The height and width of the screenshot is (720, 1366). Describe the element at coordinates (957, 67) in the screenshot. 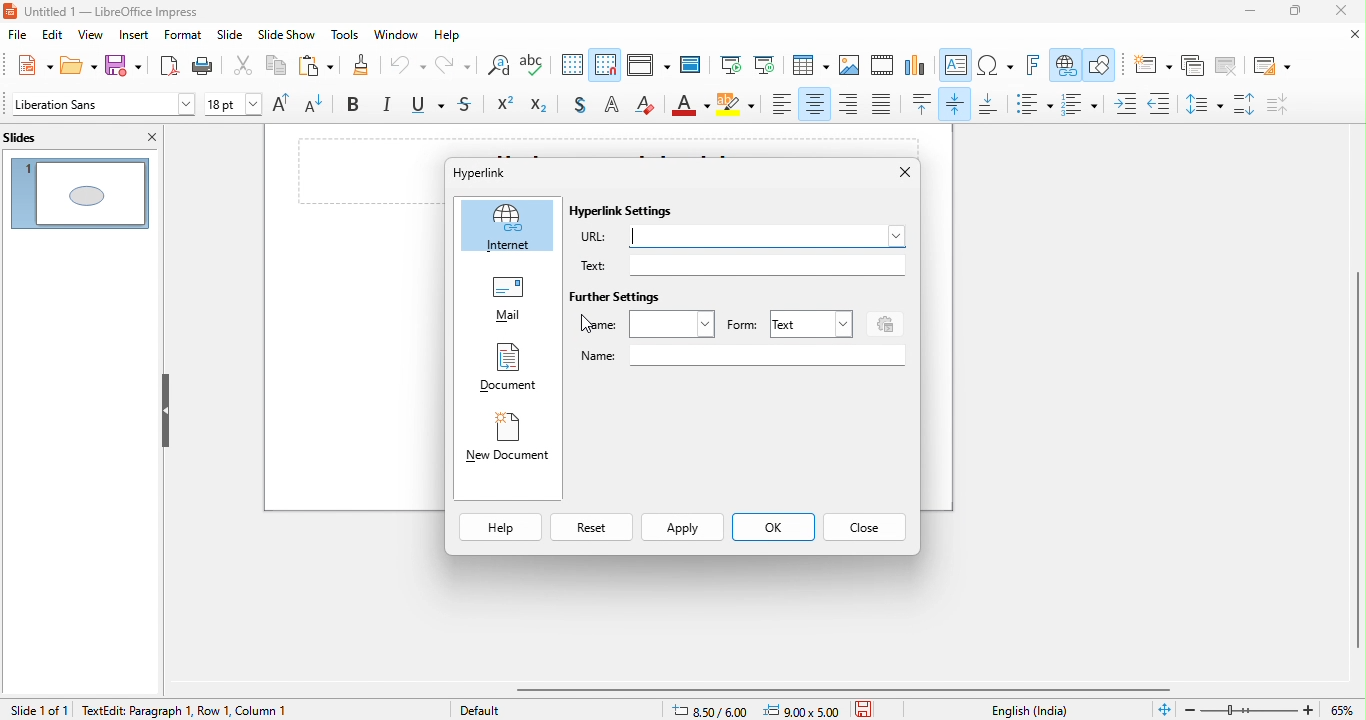

I see `text box` at that location.